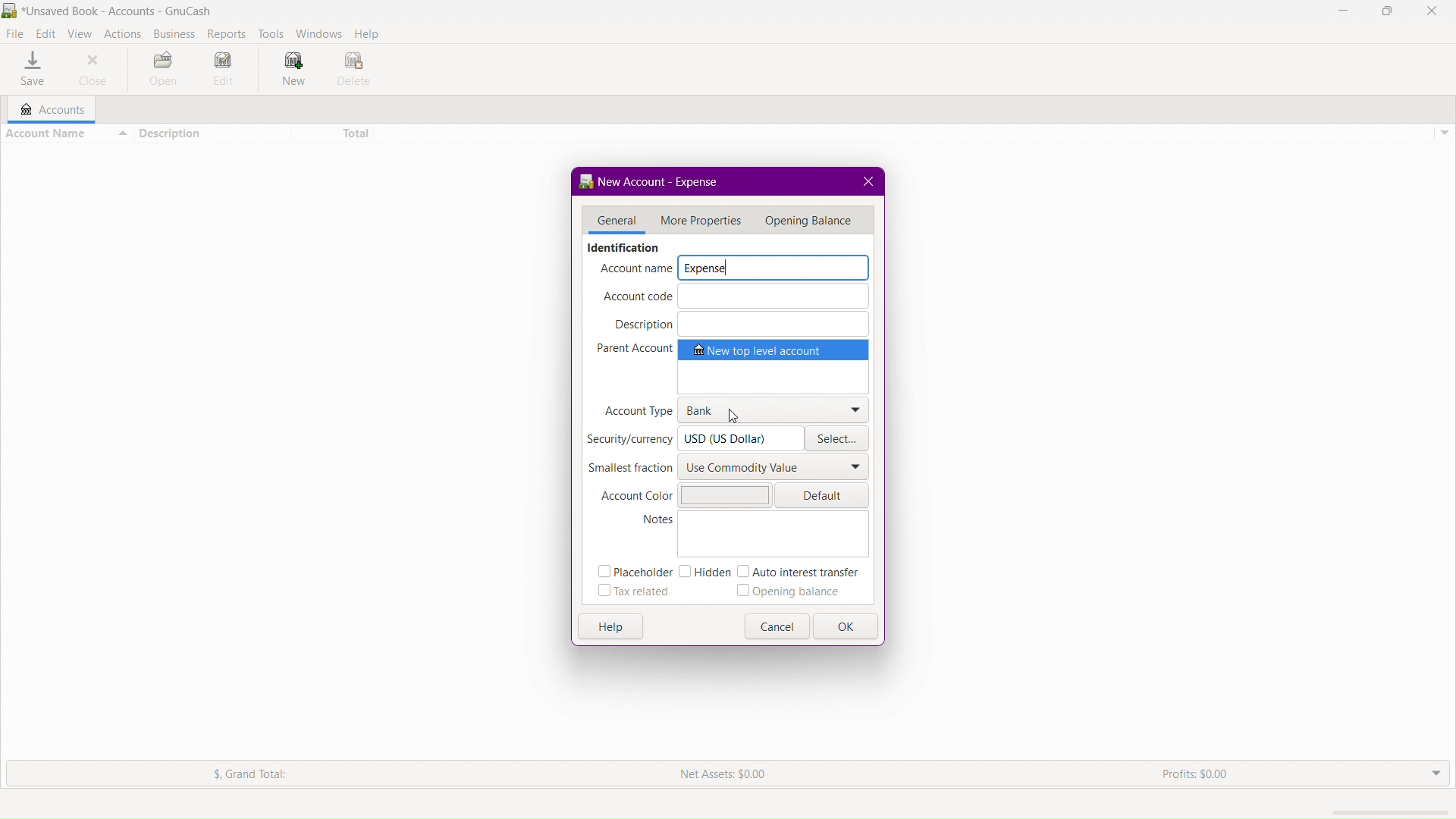 This screenshot has width=1456, height=819. What do you see at coordinates (699, 219) in the screenshot?
I see `More Properties` at bounding box center [699, 219].